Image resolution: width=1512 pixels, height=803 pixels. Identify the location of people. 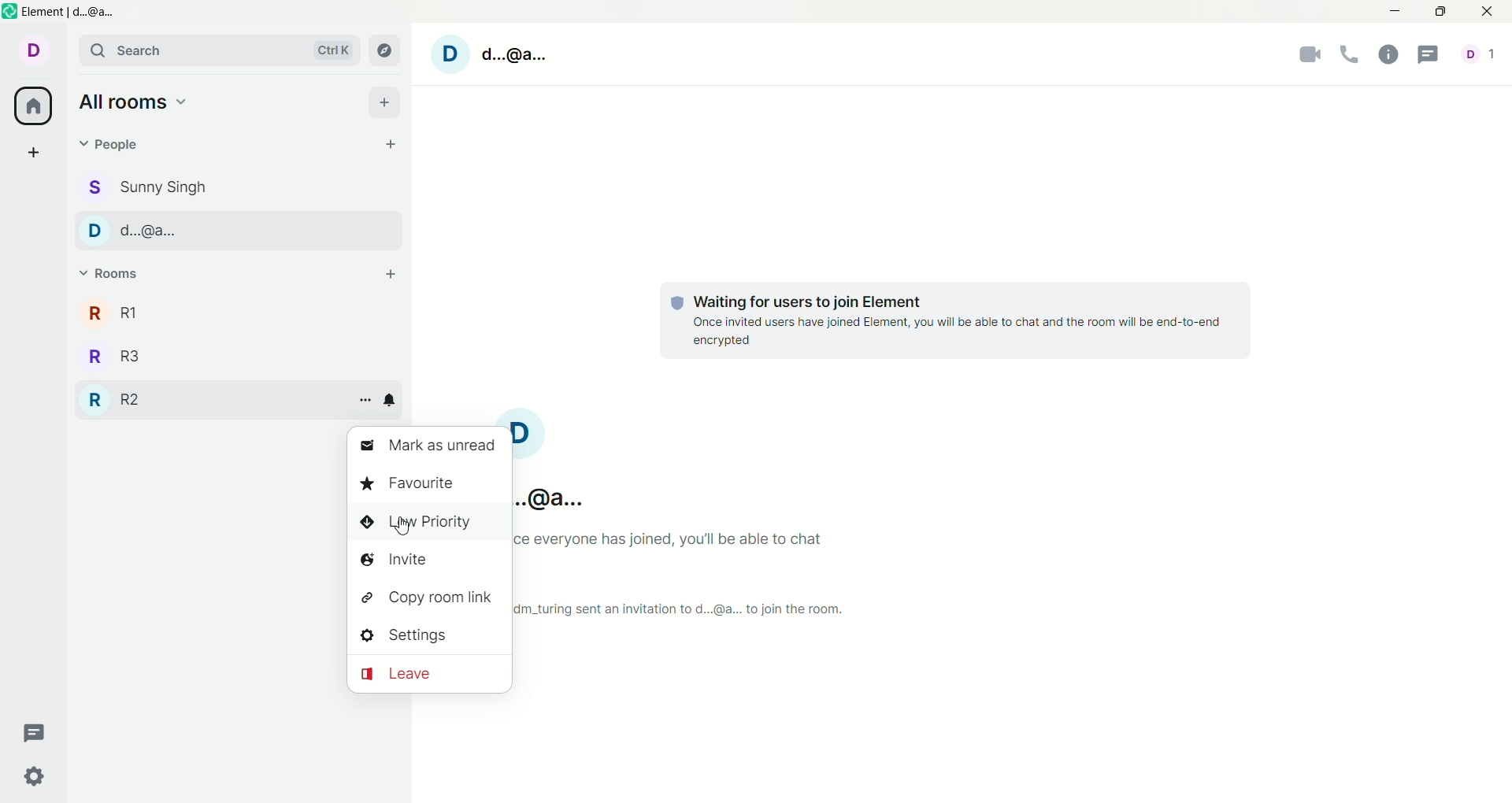
(116, 145).